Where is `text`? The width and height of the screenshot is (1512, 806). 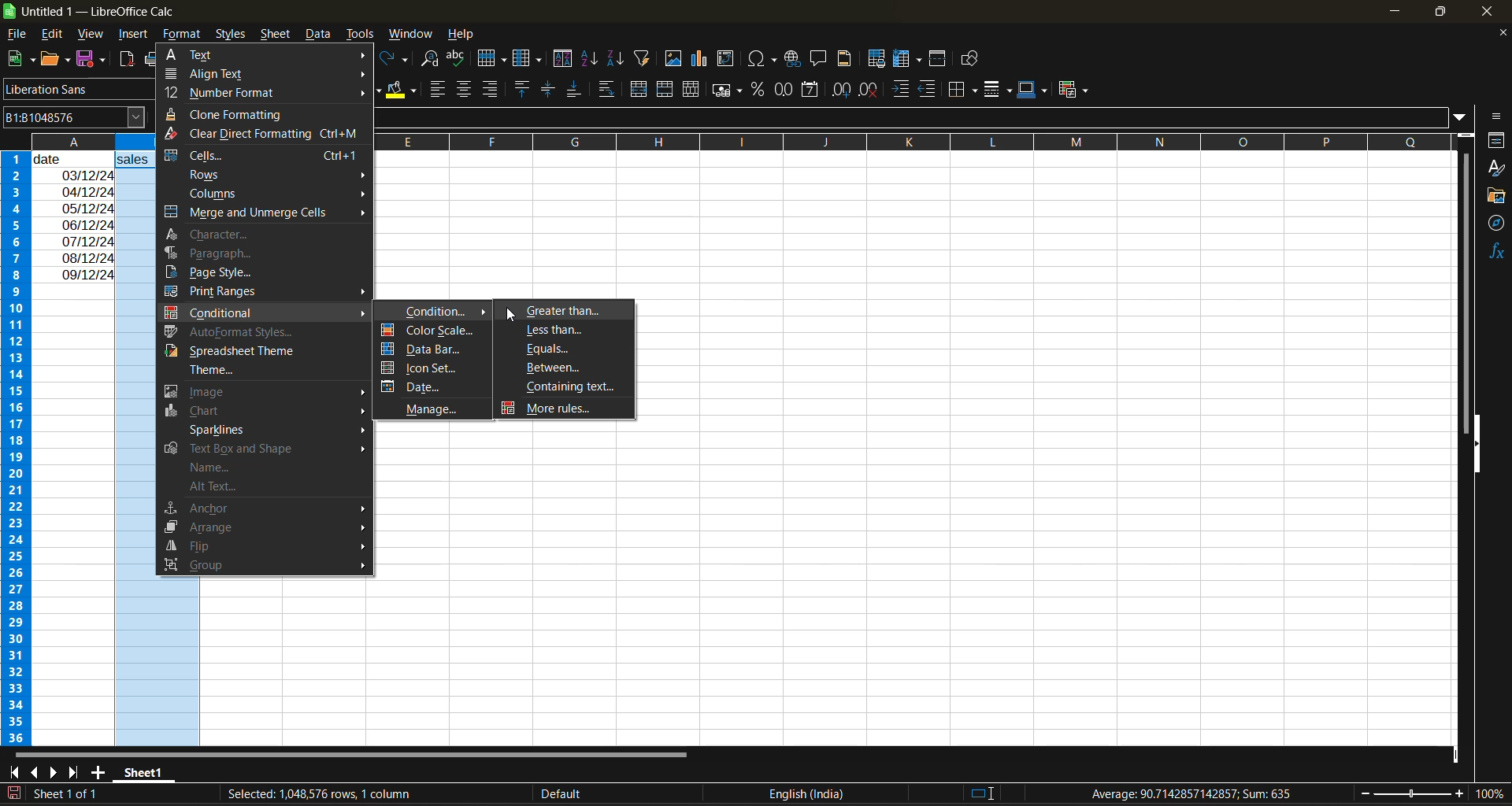
text is located at coordinates (197, 54).